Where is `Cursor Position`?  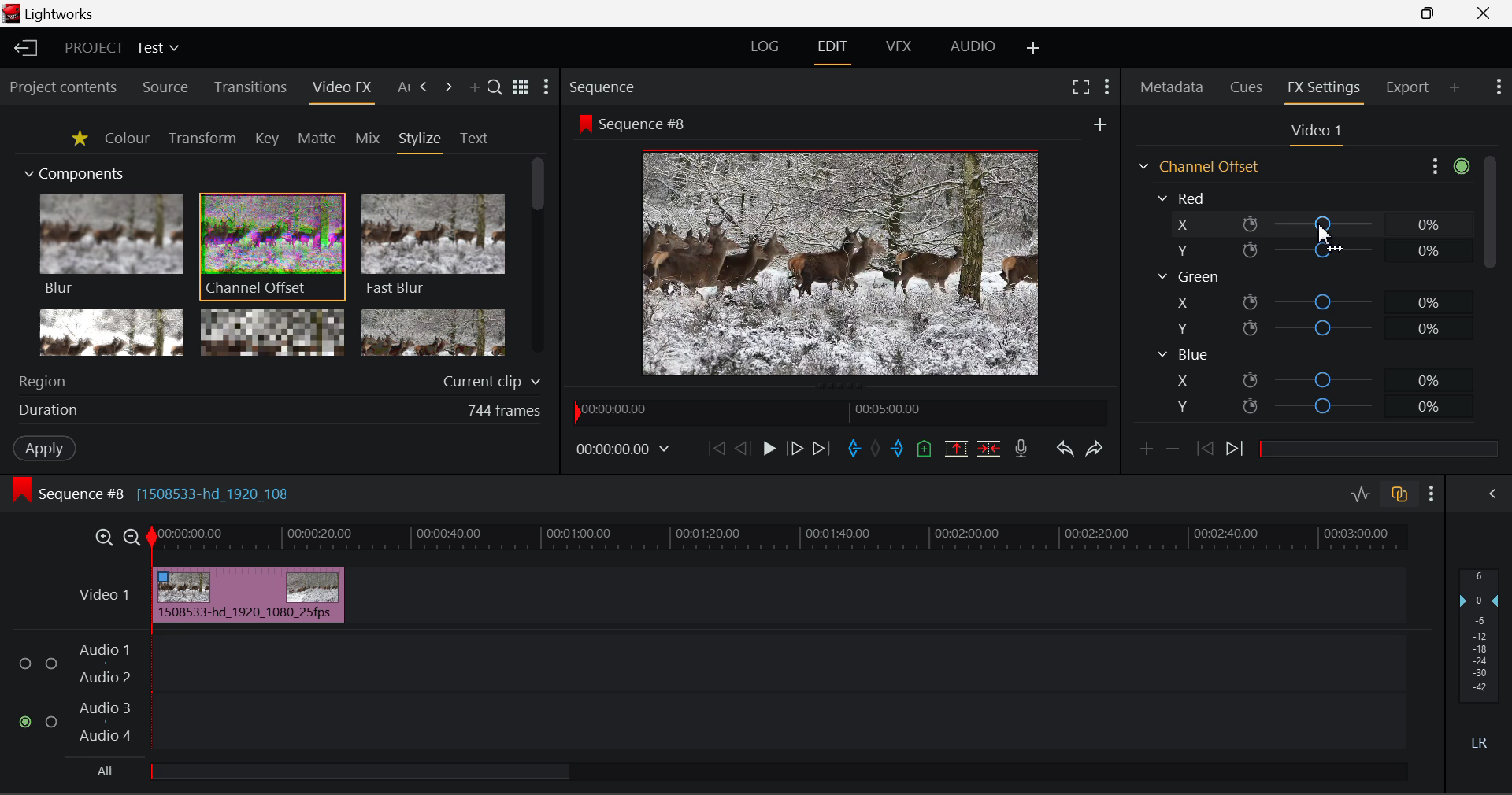
Cursor Position is located at coordinates (1322, 234).